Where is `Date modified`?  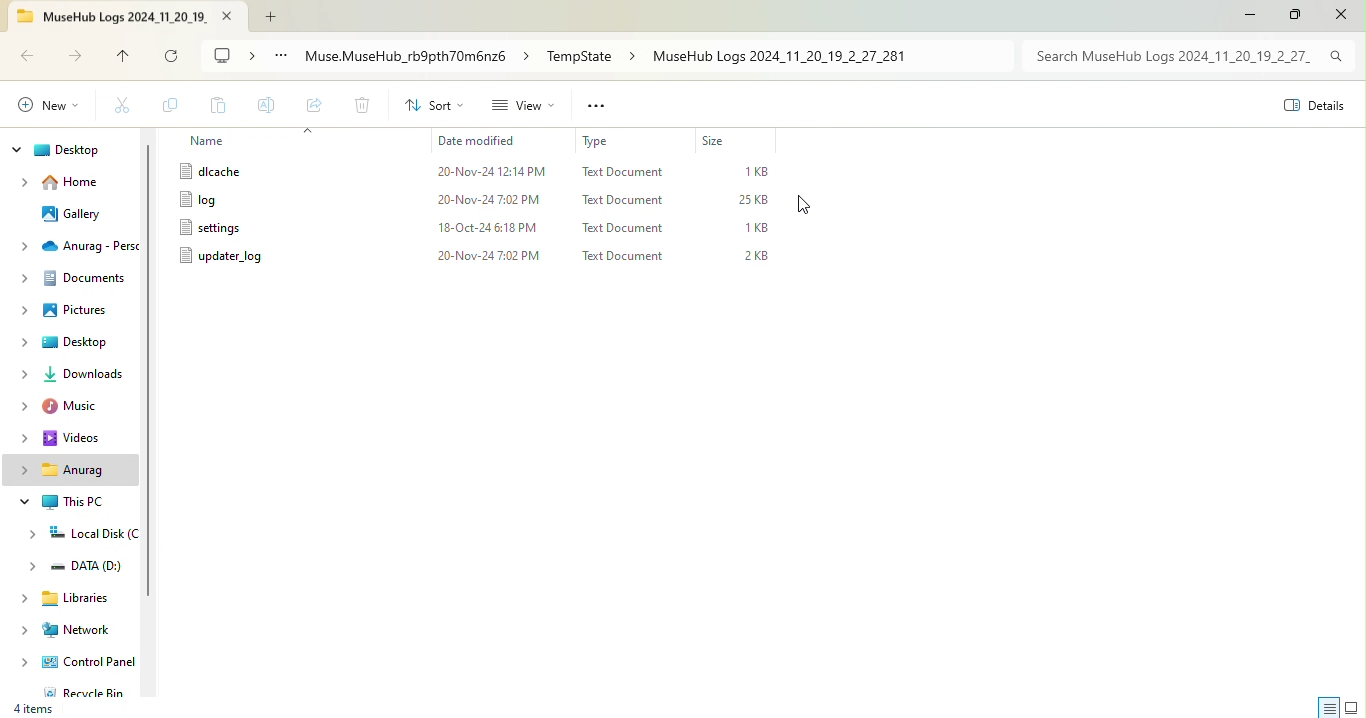 Date modified is located at coordinates (486, 141).